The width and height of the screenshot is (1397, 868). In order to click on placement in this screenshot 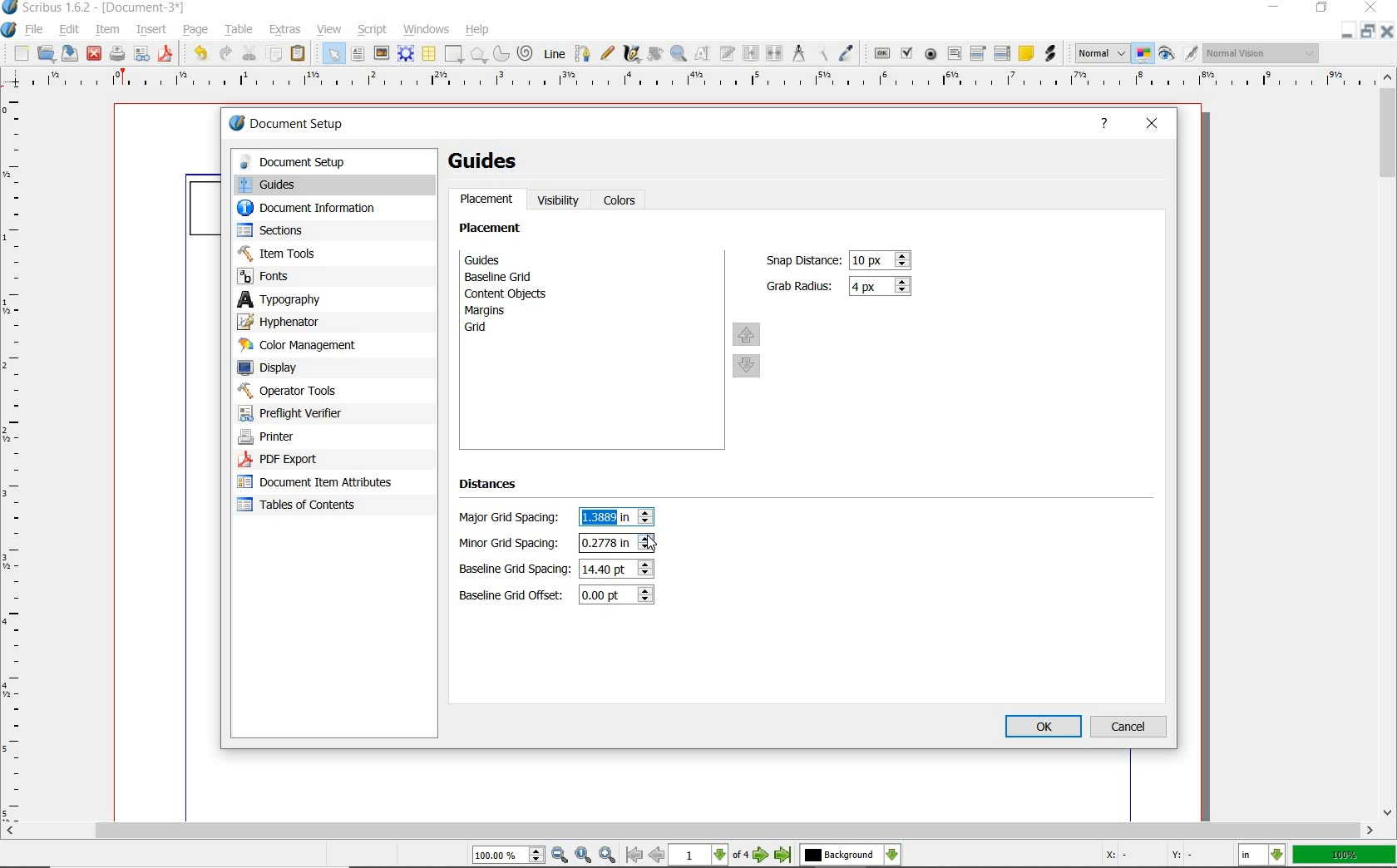, I will do `click(495, 230)`.